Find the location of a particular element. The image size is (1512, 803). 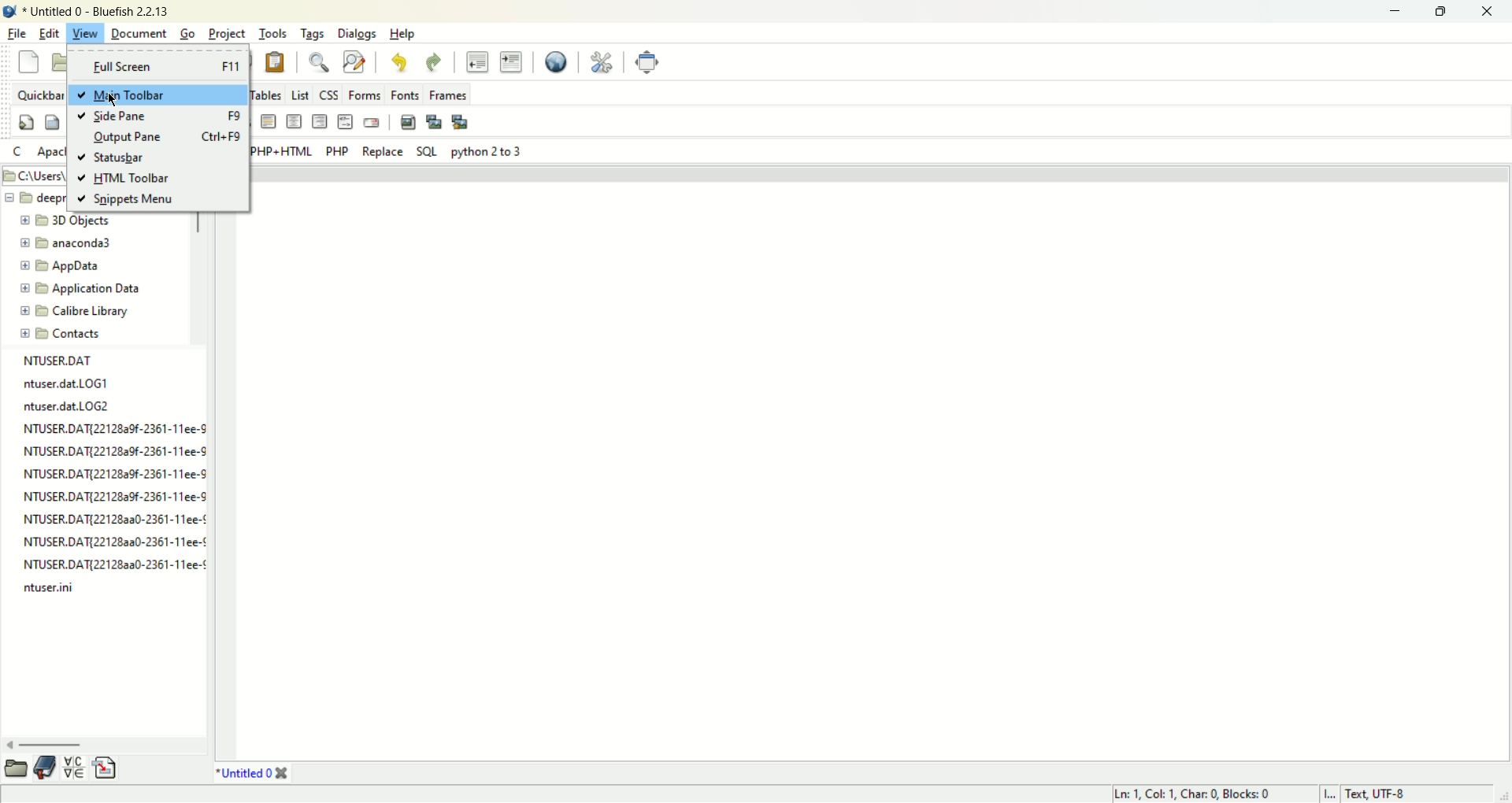

NTUSER.DATI?22128a0f-2361-11ee-C is located at coordinates (120, 472).